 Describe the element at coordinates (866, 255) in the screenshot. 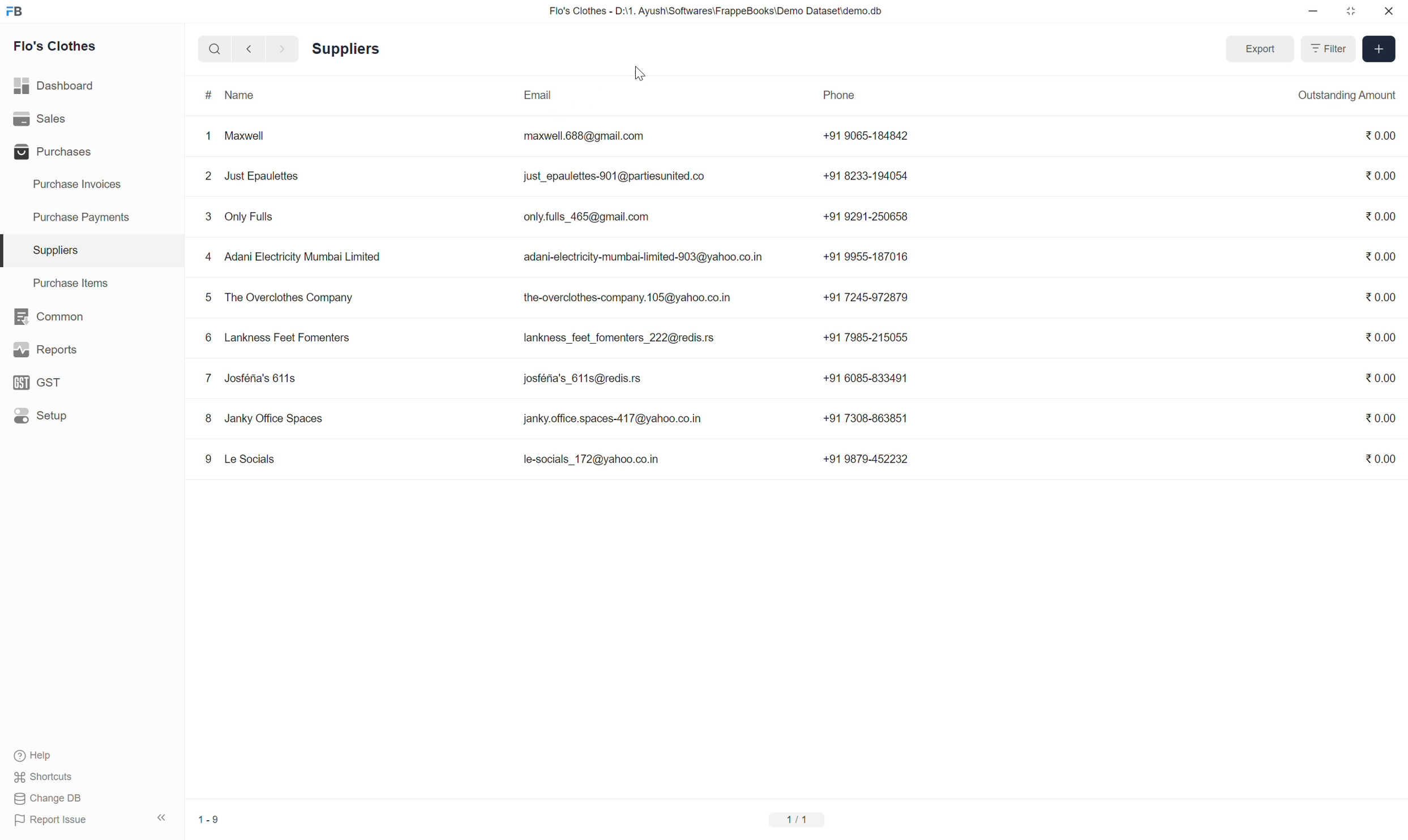

I see `+91 9955-187016` at that location.